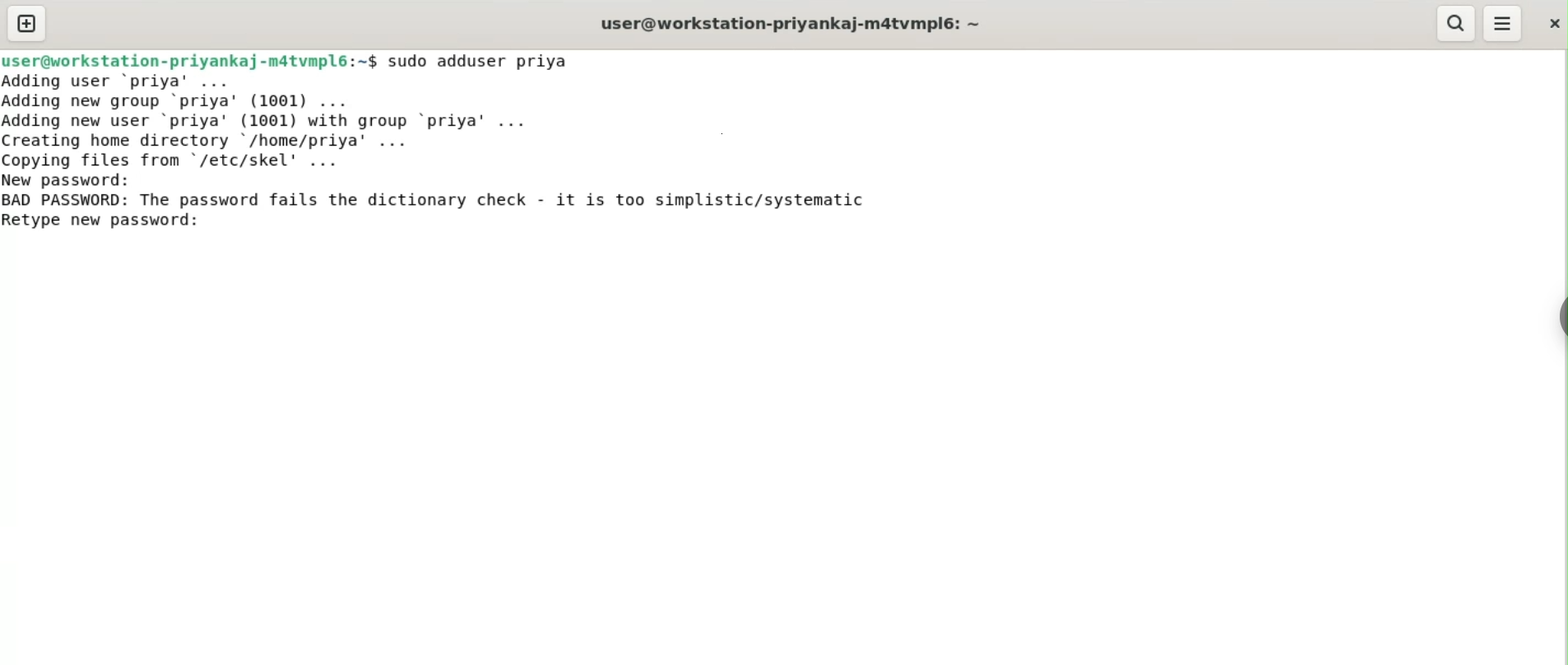 This screenshot has height=665, width=1568. Describe the element at coordinates (1503, 24) in the screenshot. I see `menu` at that location.